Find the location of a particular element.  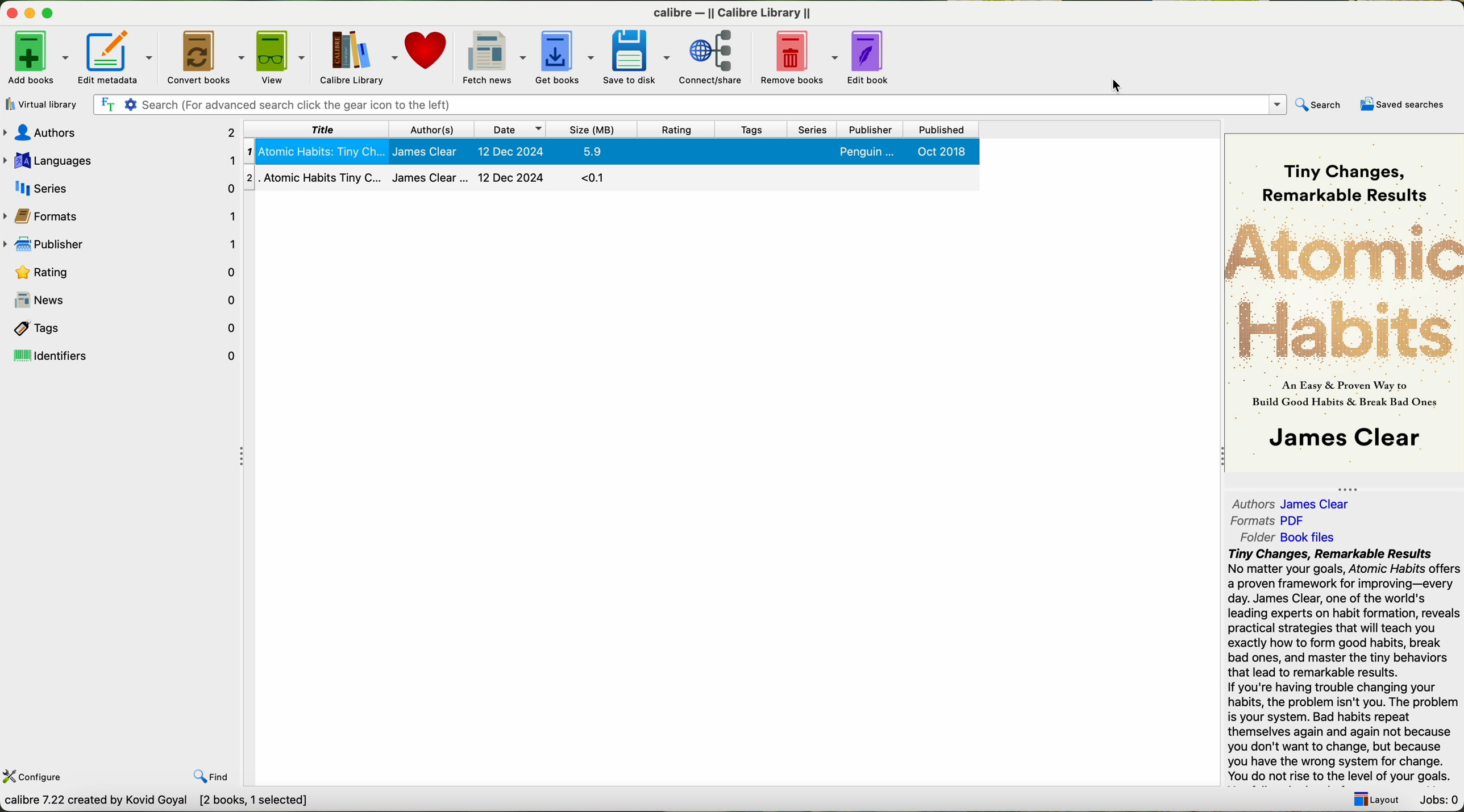

series is located at coordinates (807, 127).